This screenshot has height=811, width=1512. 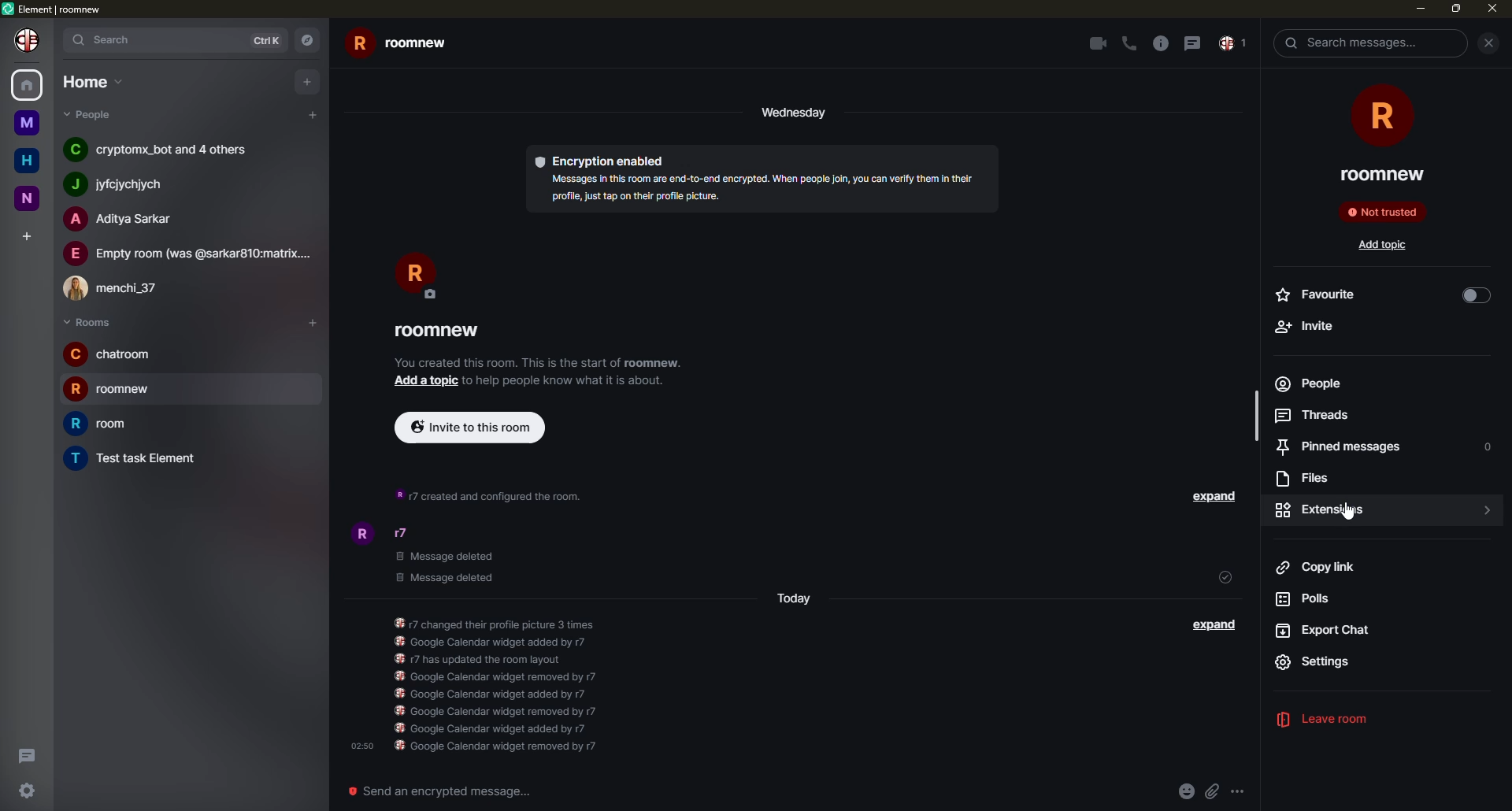 What do you see at coordinates (1377, 174) in the screenshot?
I see `roomnew` at bounding box center [1377, 174].